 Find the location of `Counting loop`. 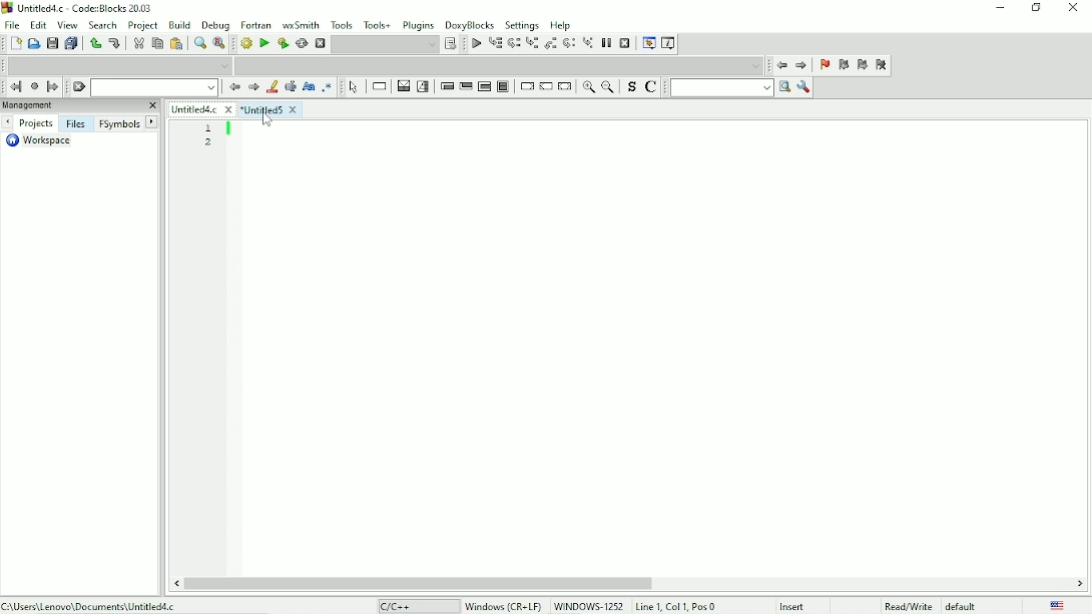

Counting loop is located at coordinates (484, 86).